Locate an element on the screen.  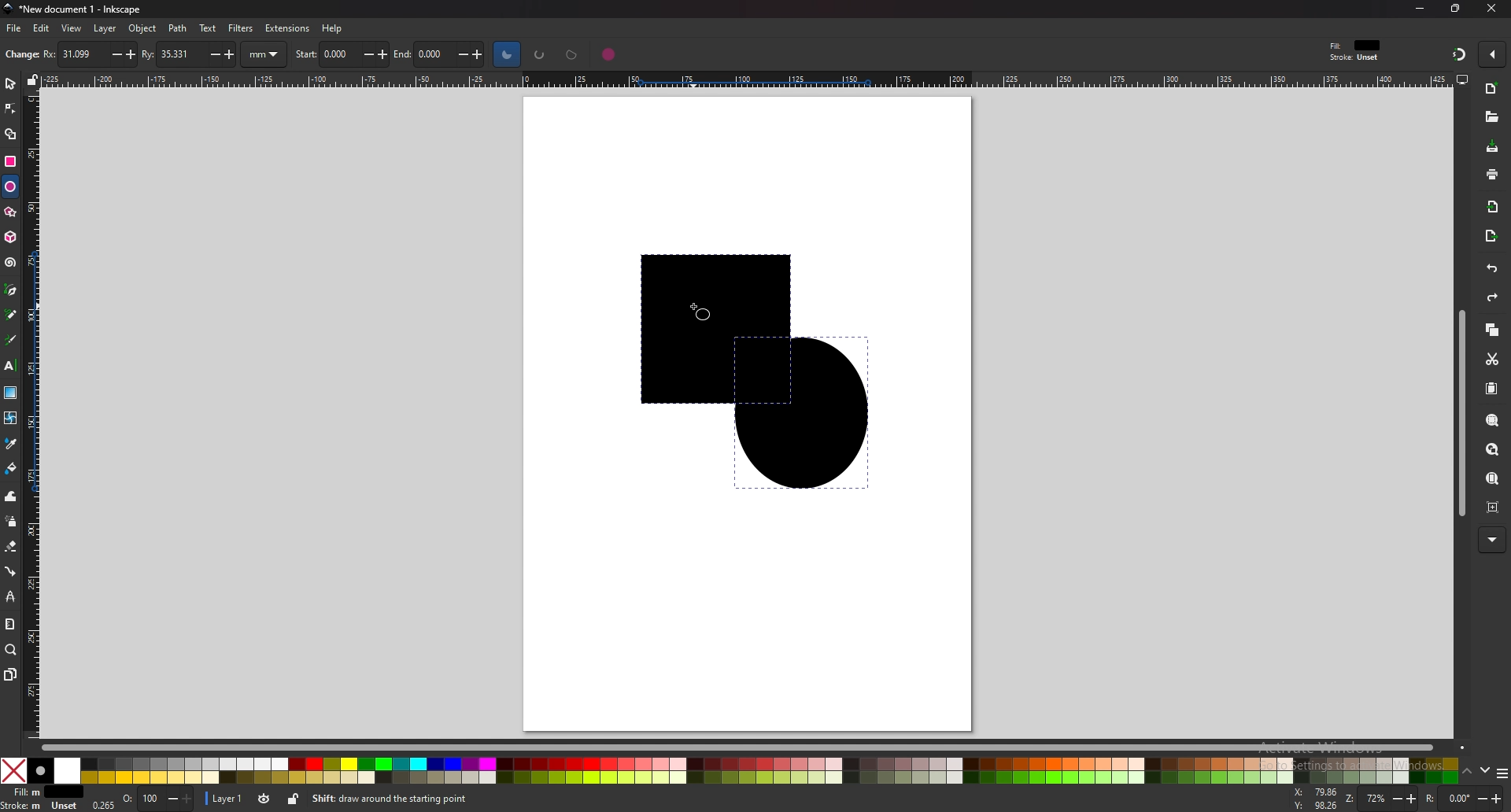
import is located at coordinates (1490, 207).